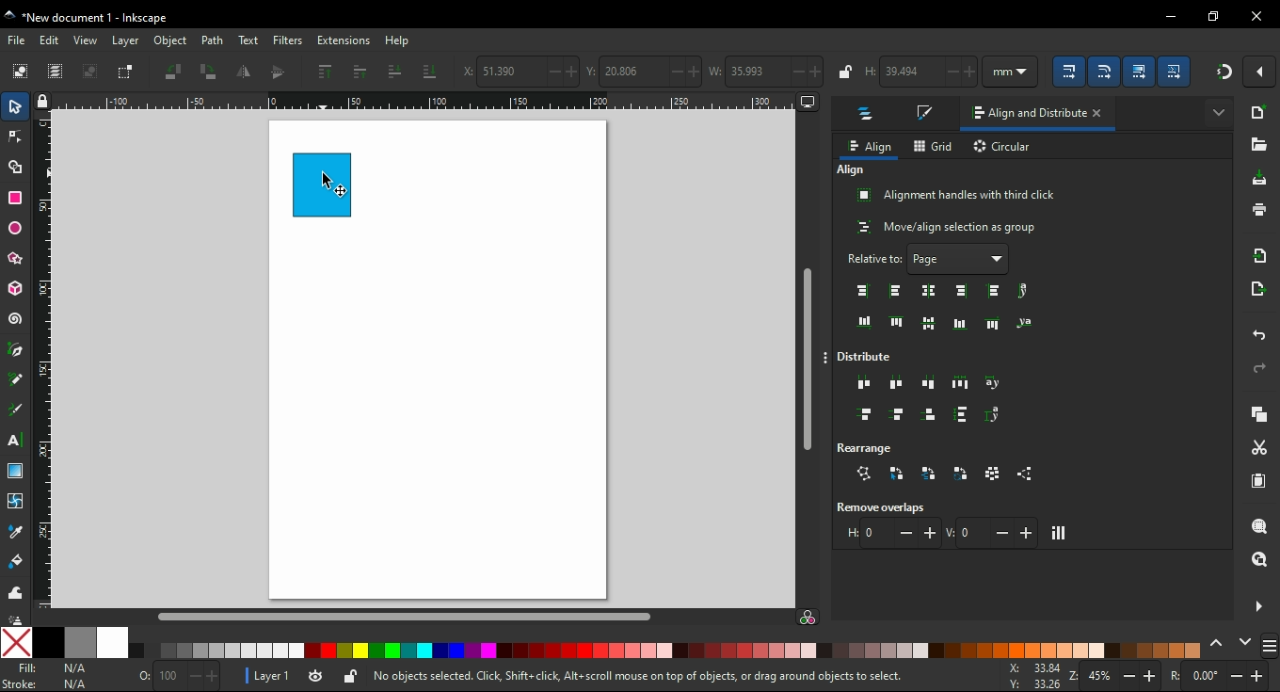 This screenshot has height=692, width=1280. Describe the element at coordinates (243, 73) in the screenshot. I see `object flip horizontal` at that location.